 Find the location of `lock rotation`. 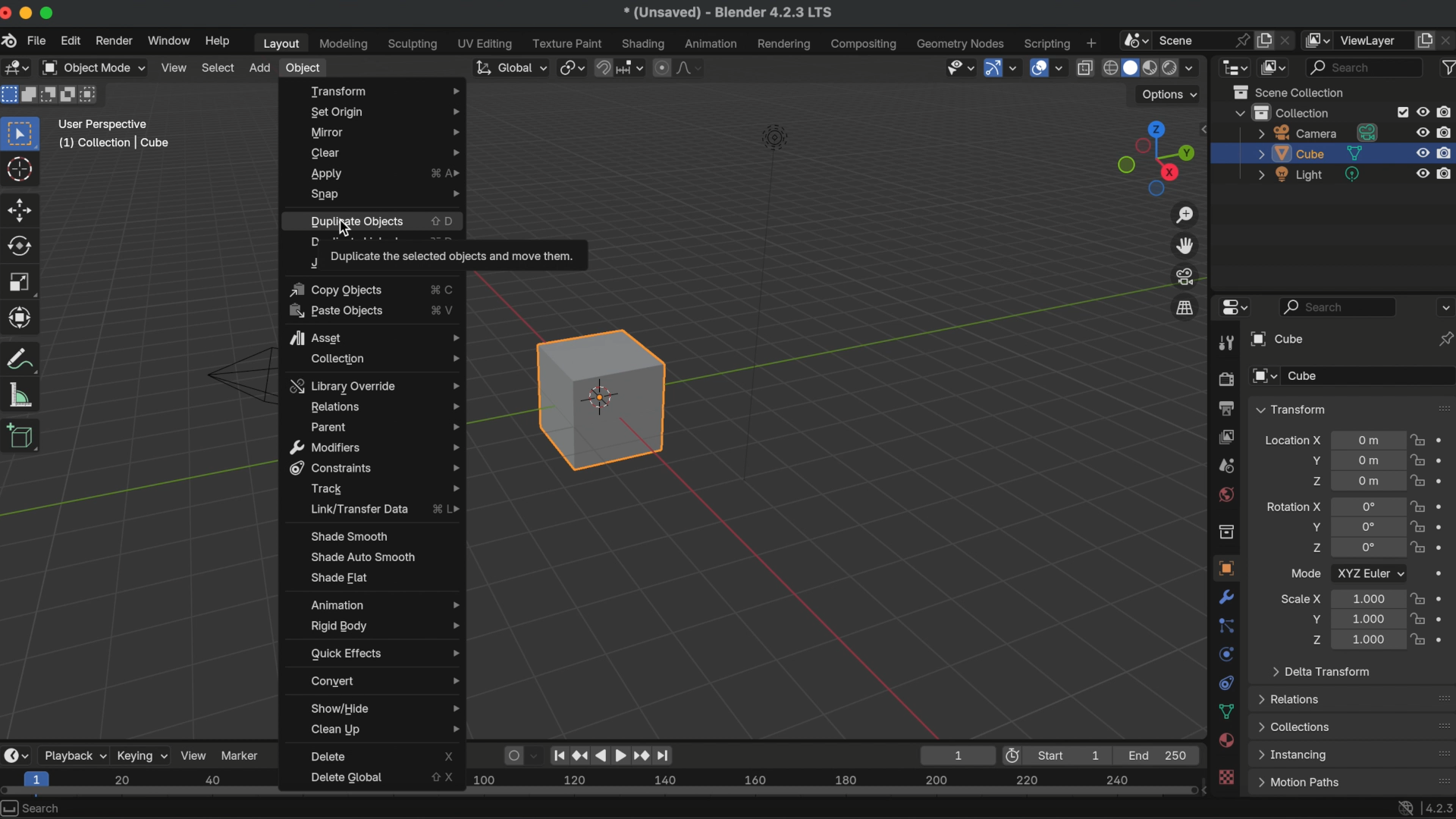

lock rotation is located at coordinates (1418, 528).